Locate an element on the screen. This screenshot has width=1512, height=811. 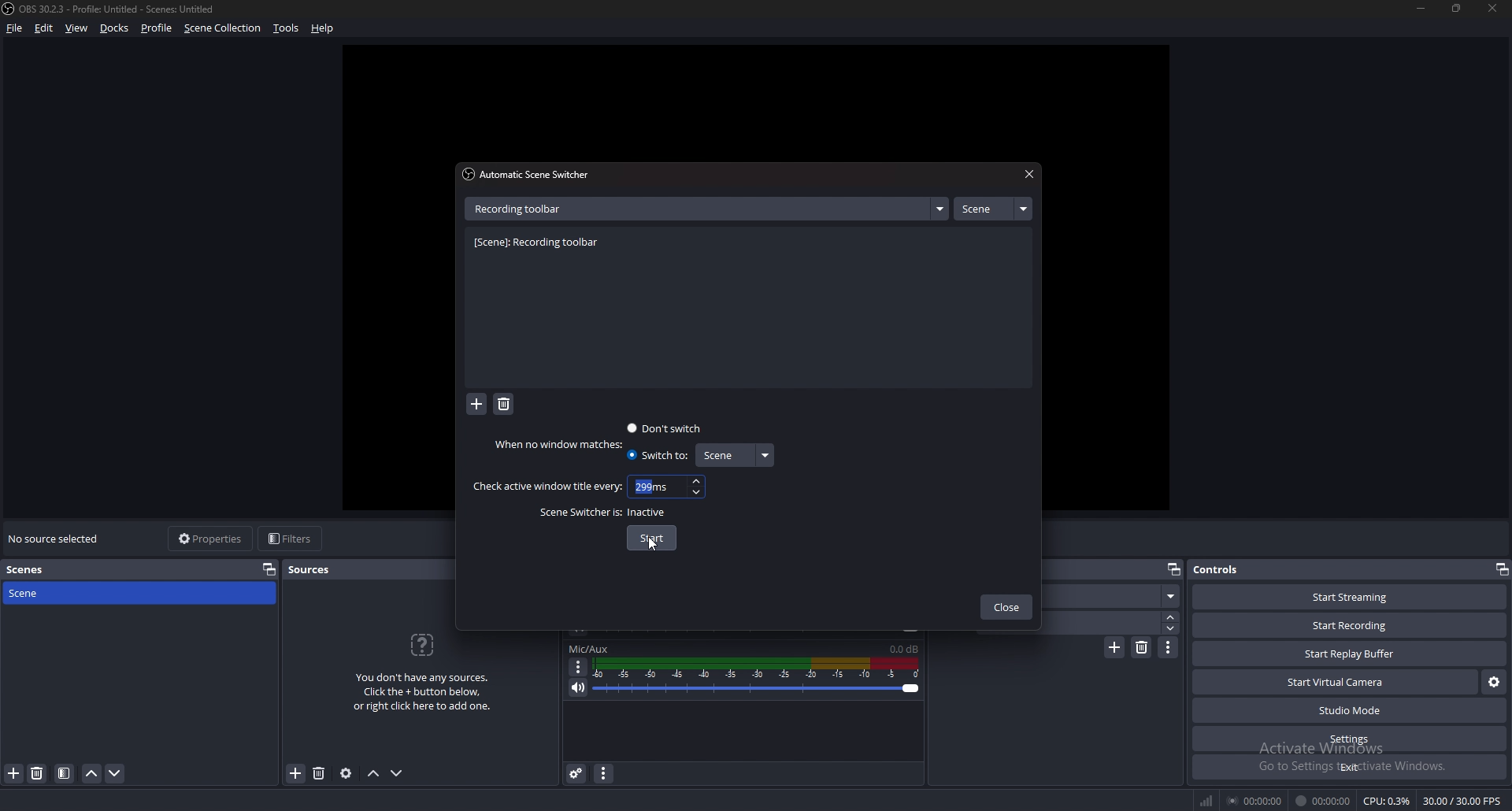
check active window title every is located at coordinates (547, 487).